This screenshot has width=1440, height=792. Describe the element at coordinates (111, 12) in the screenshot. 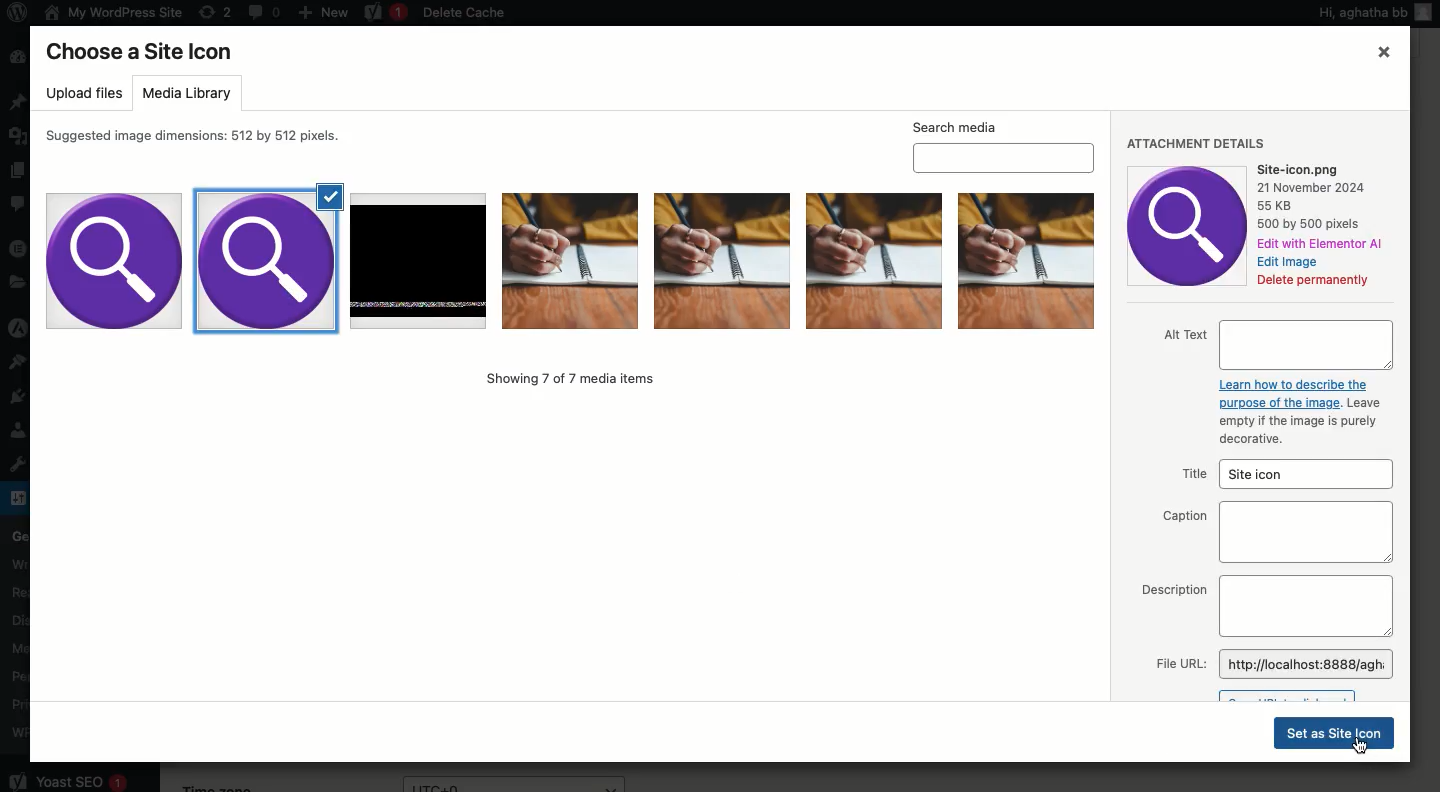

I see `My wordpress site` at that location.